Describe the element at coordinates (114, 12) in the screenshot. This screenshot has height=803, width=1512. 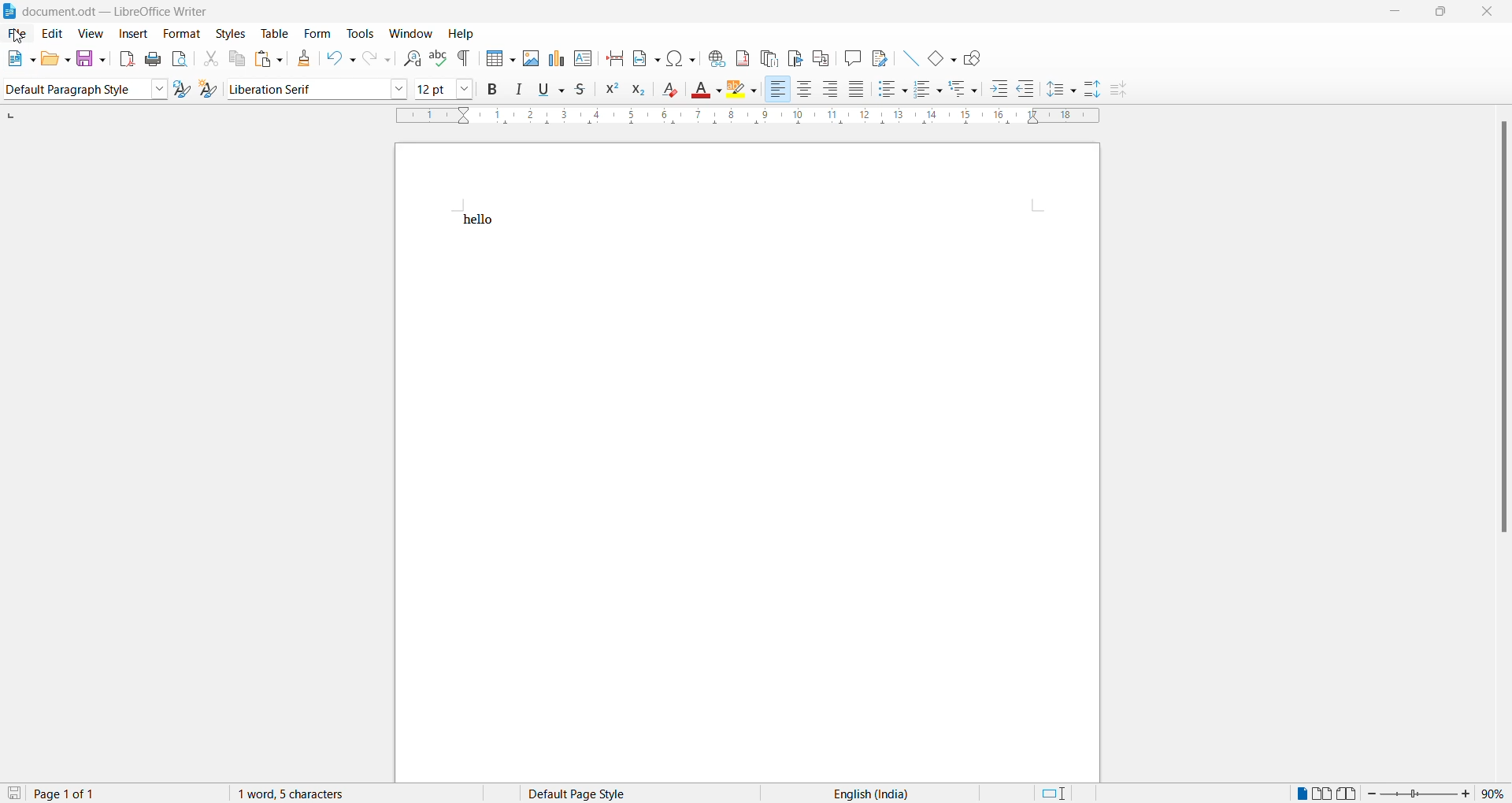
I see `document.odt - libreoffice writer` at that location.